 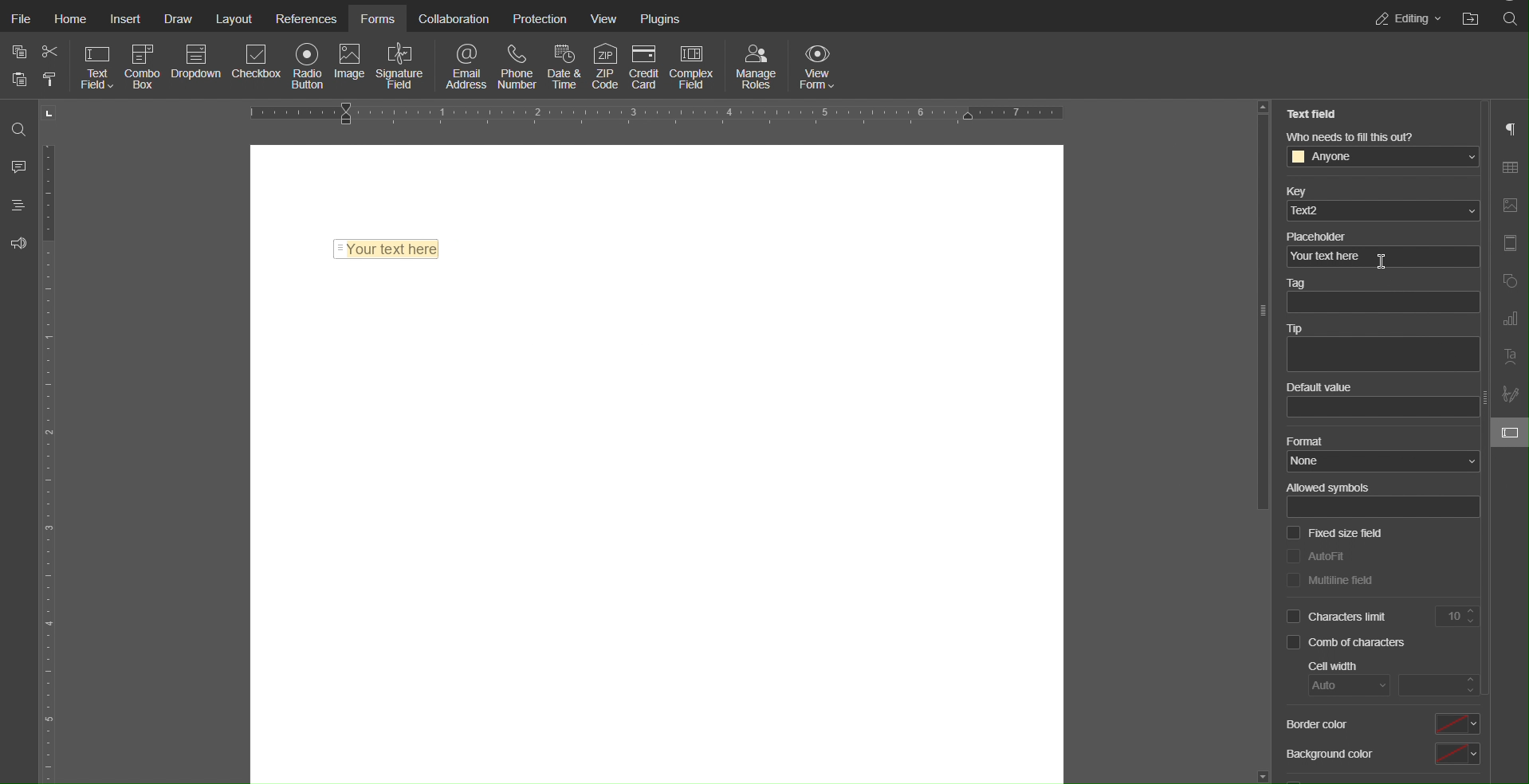 What do you see at coordinates (257, 68) in the screenshot?
I see `Checkbox` at bounding box center [257, 68].